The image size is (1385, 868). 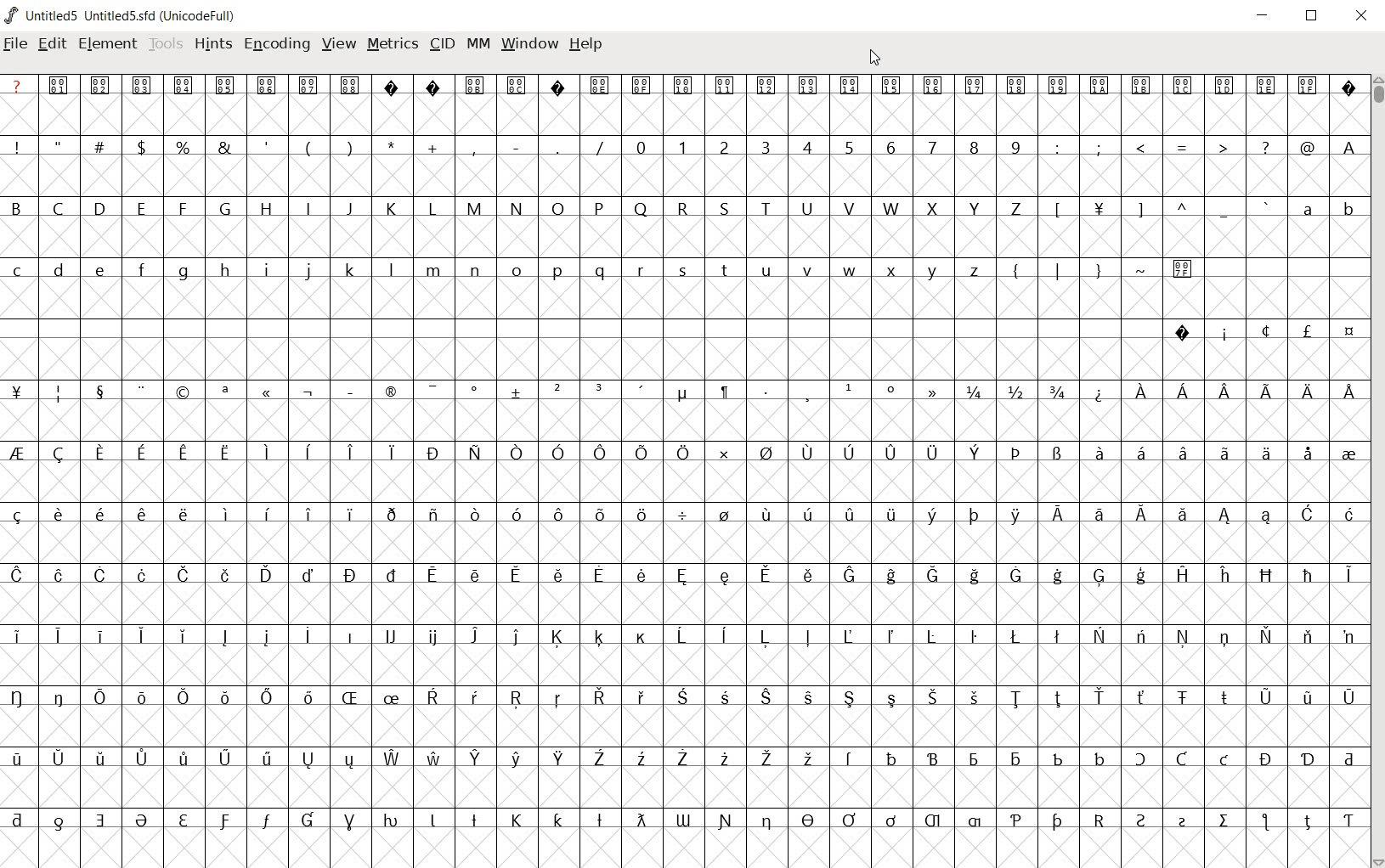 What do you see at coordinates (223, 637) in the screenshot?
I see `Symbol` at bounding box center [223, 637].